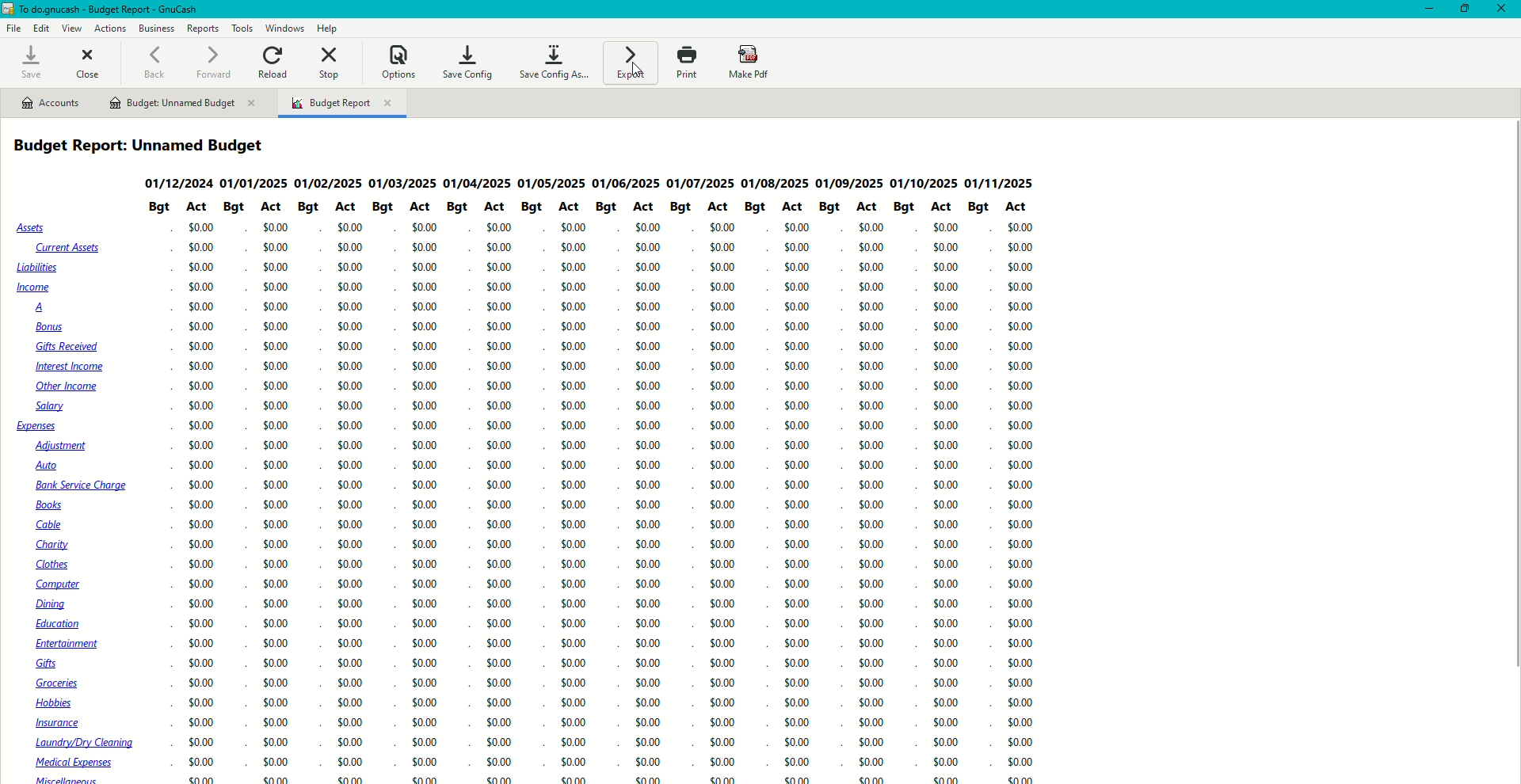 This screenshot has height=784, width=1521. What do you see at coordinates (575, 287) in the screenshot?
I see `$0.00` at bounding box center [575, 287].